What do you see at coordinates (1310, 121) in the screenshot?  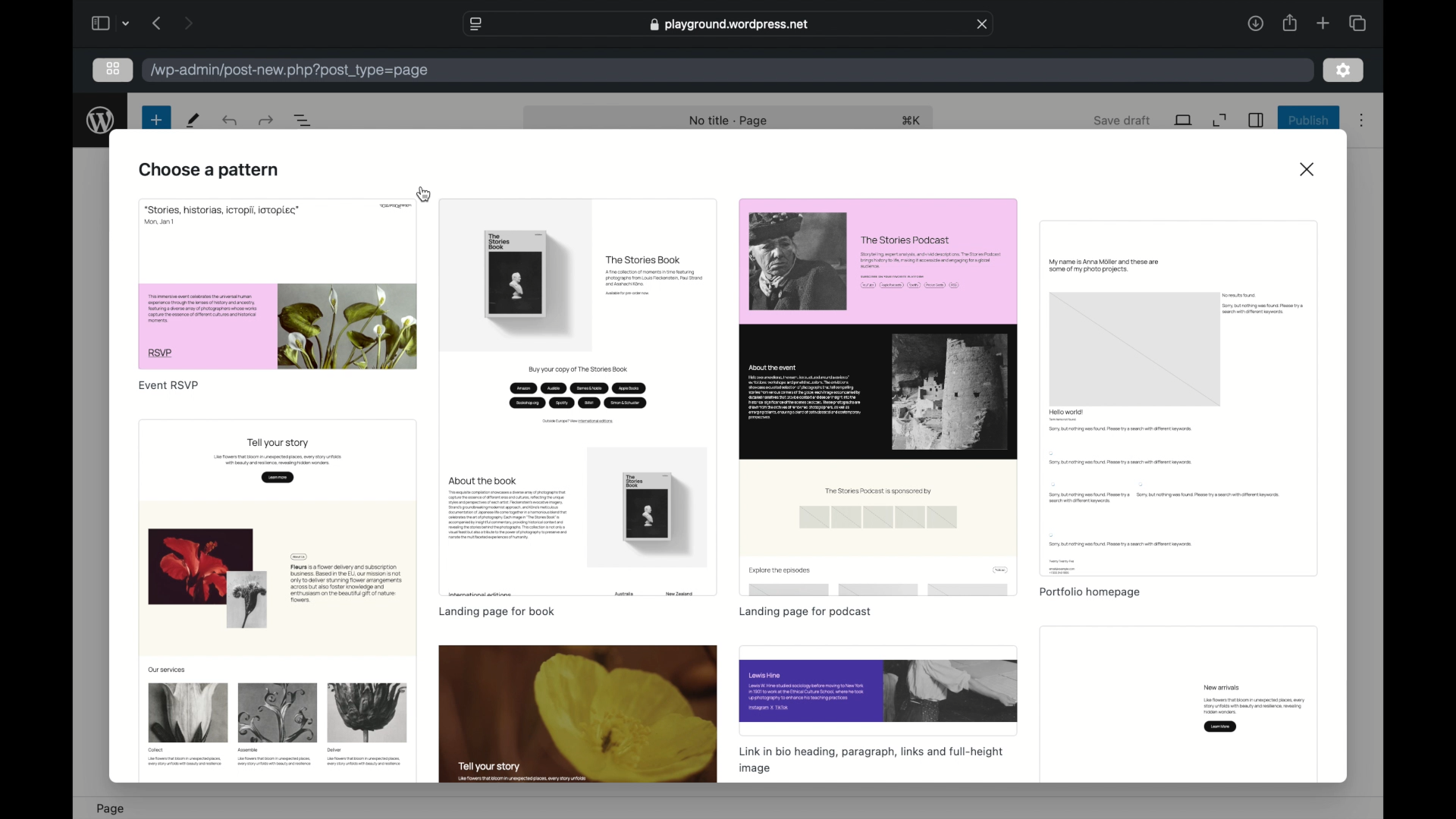 I see `publish` at bounding box center [1310, 121].